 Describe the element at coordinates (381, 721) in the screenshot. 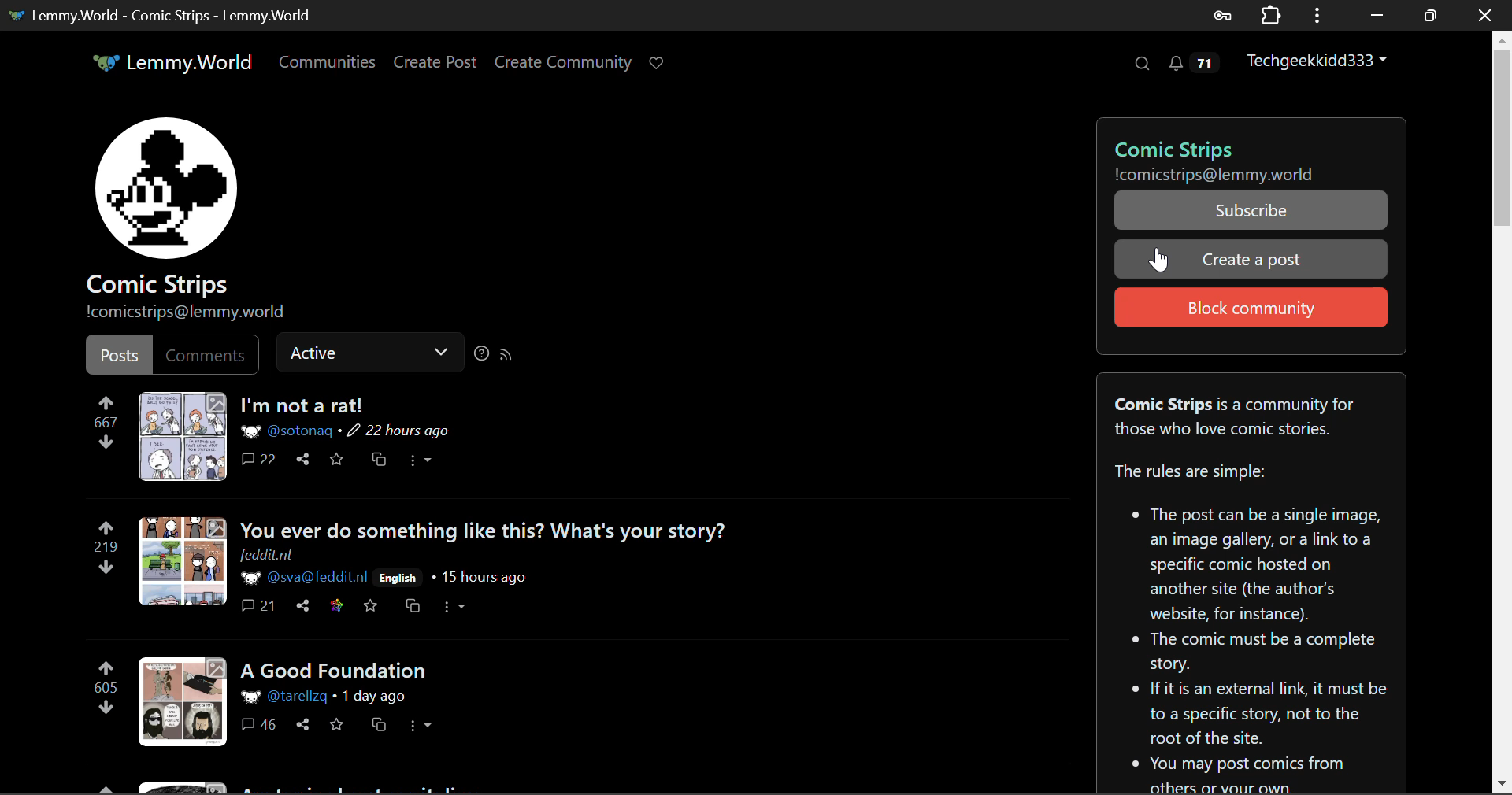

I see `Cross-post` at that location.